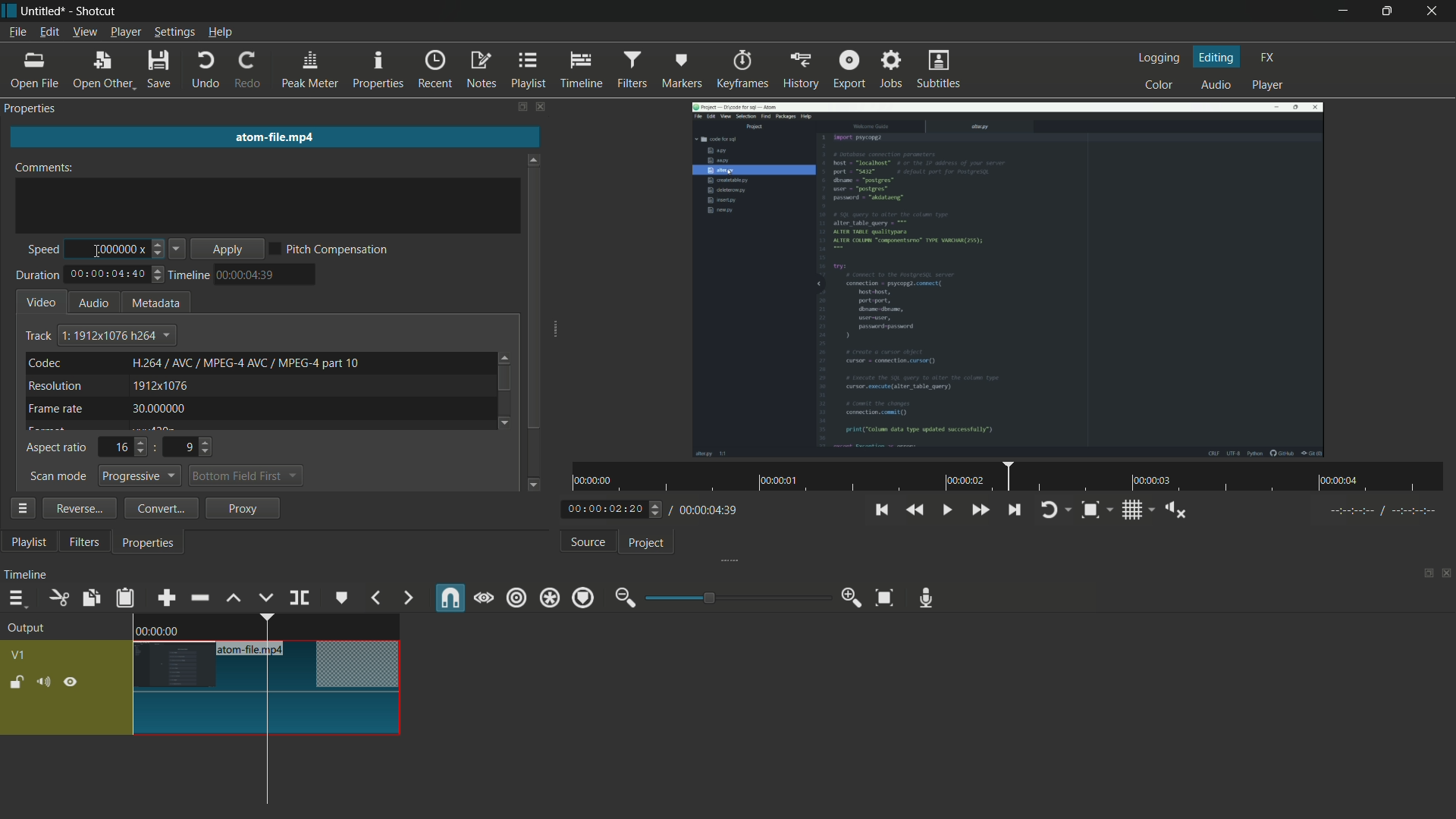 The height and width of the screenshot is (819, 1456). I want to click on comments, so click(44, 168).